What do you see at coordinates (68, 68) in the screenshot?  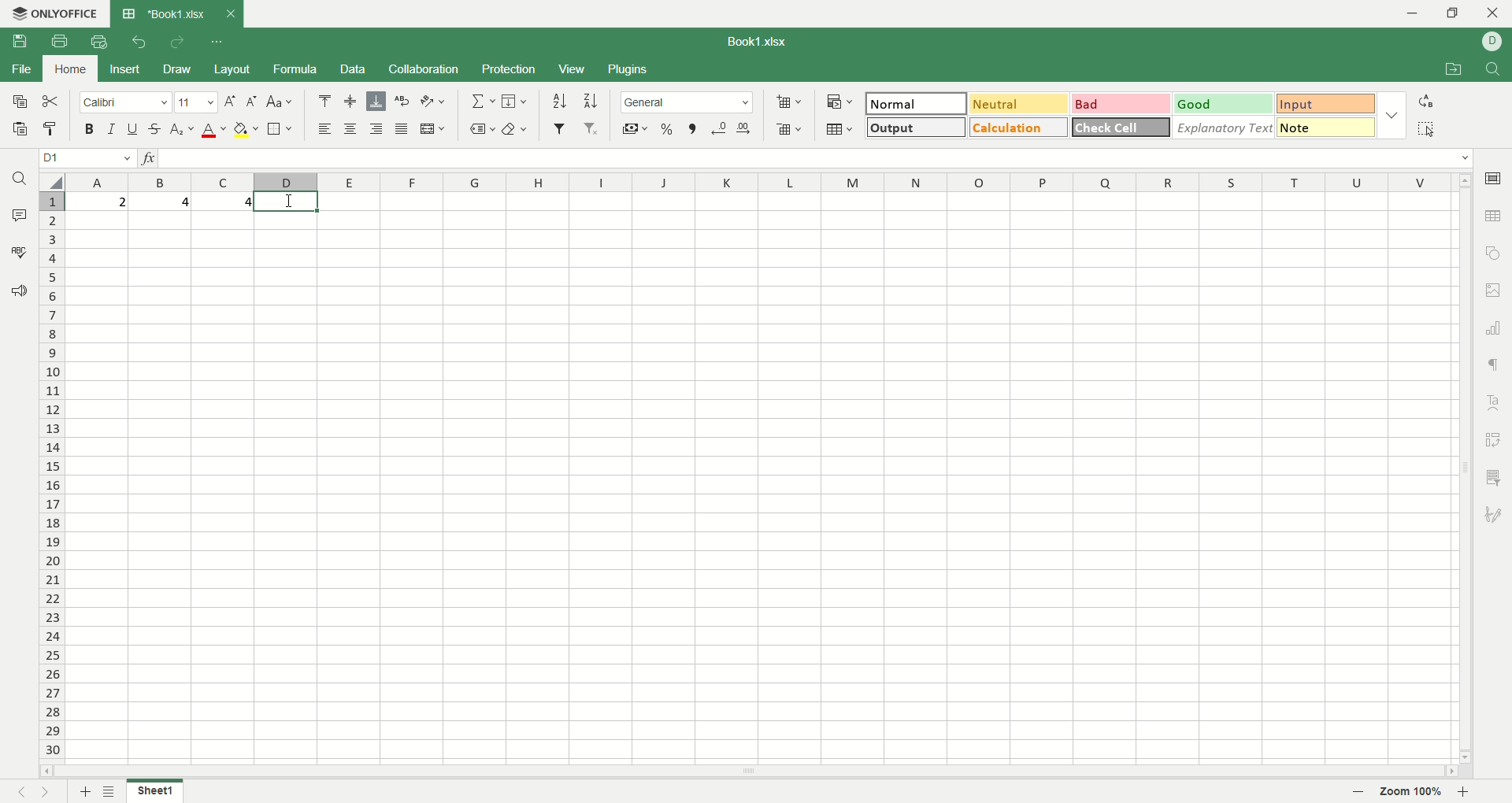 I see `home` at bounding box center [68, 68].